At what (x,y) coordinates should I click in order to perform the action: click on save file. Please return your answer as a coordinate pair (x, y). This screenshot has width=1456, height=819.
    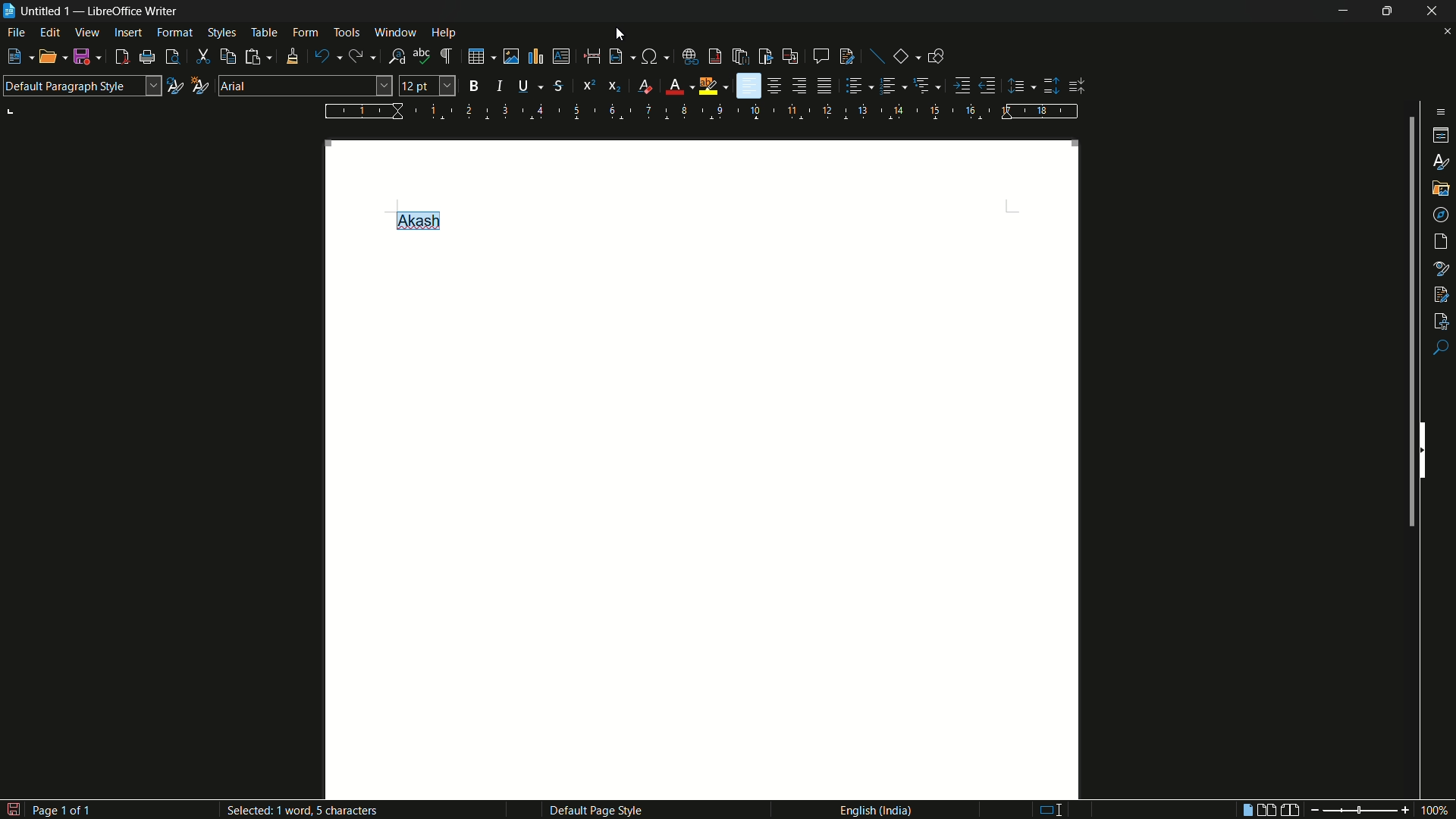
    Looking at the image, I should click on (86, 58).